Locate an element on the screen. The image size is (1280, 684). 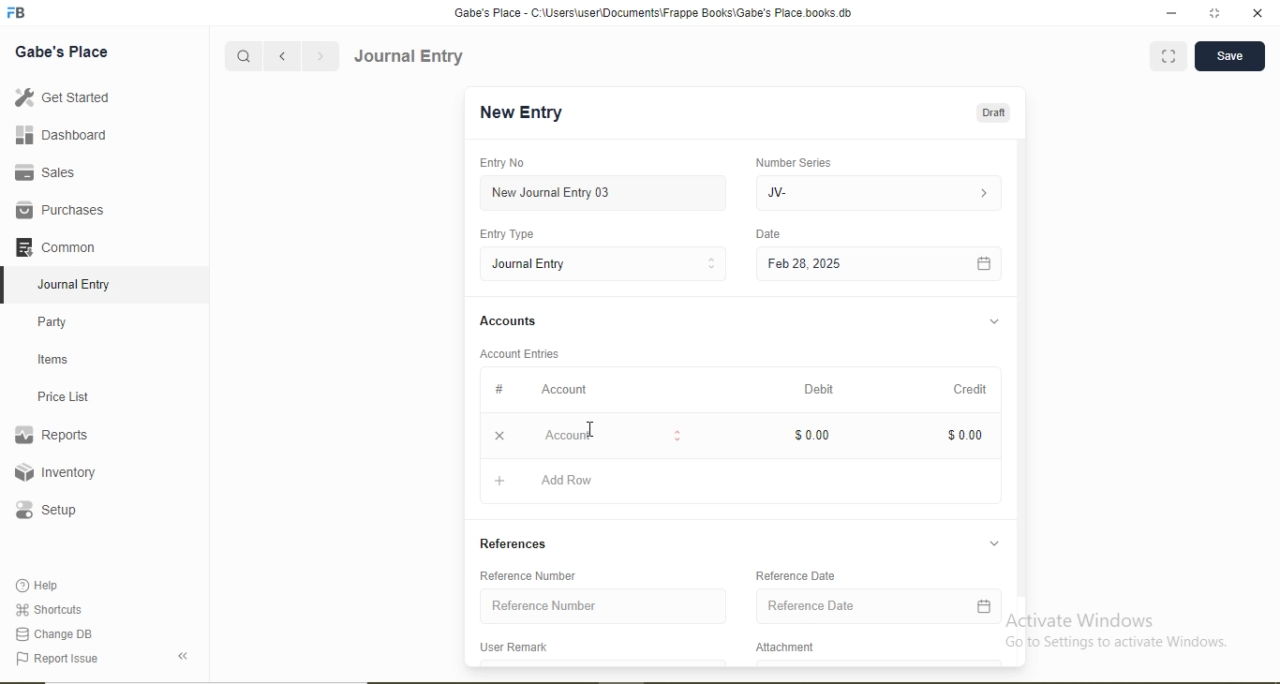
Calendar is located at coordinates (984, 606).